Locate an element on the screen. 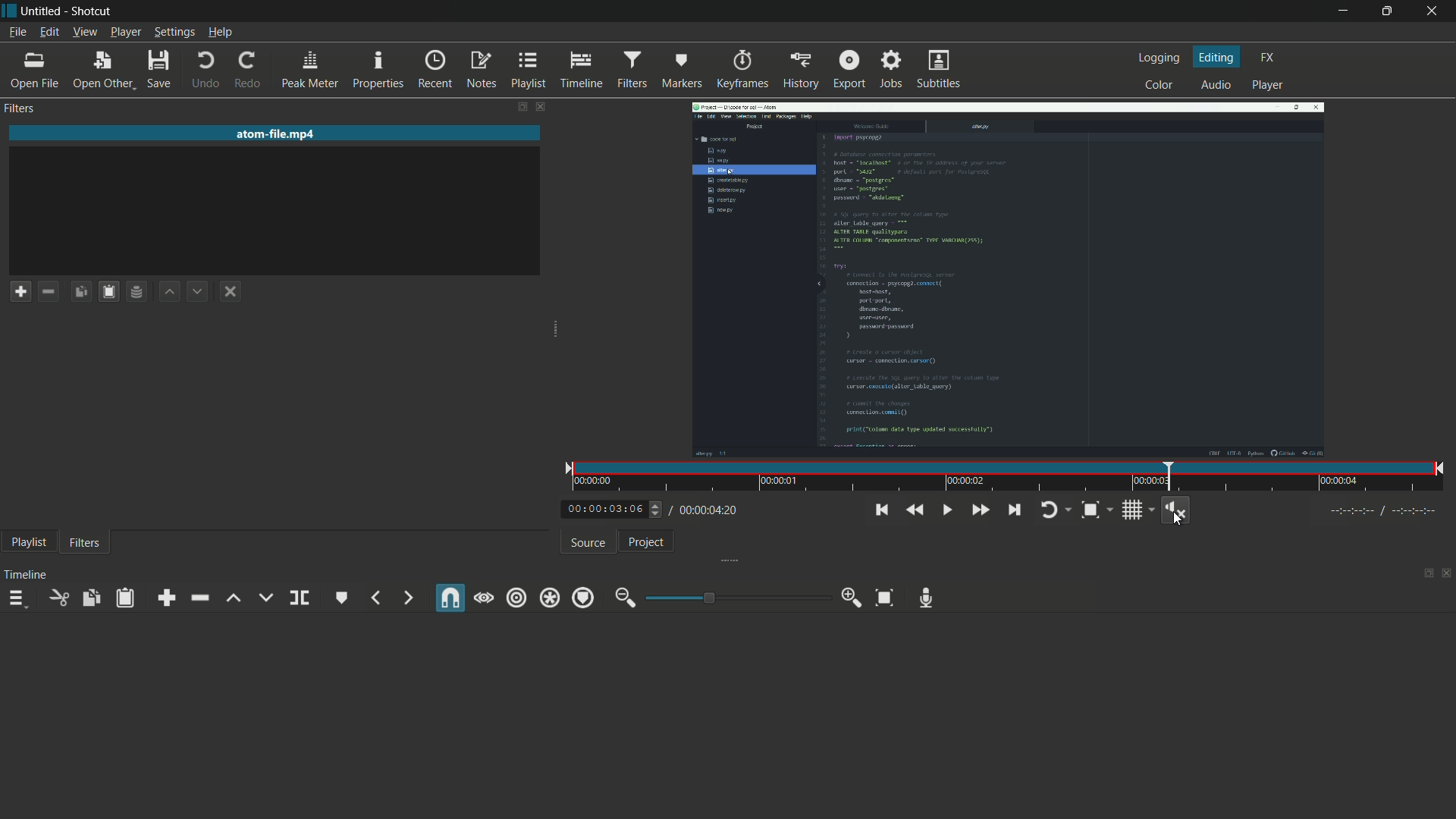 Image resolution: width=1456 pixels, height=819 pixels. quickly play forward is located at coordinates (977, 510).